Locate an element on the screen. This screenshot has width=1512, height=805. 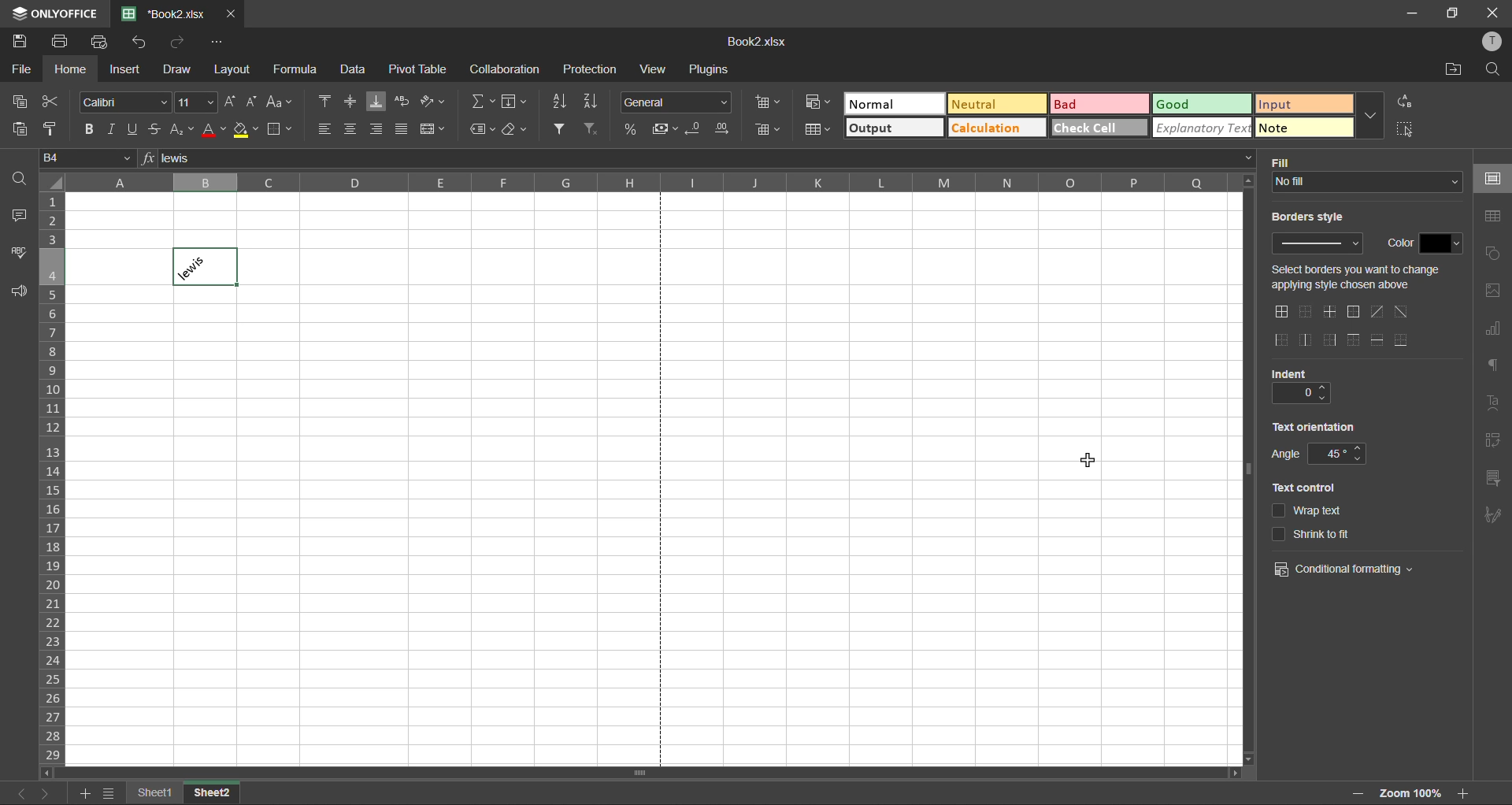
diagonal down border is located at coordinates (1400, 310).